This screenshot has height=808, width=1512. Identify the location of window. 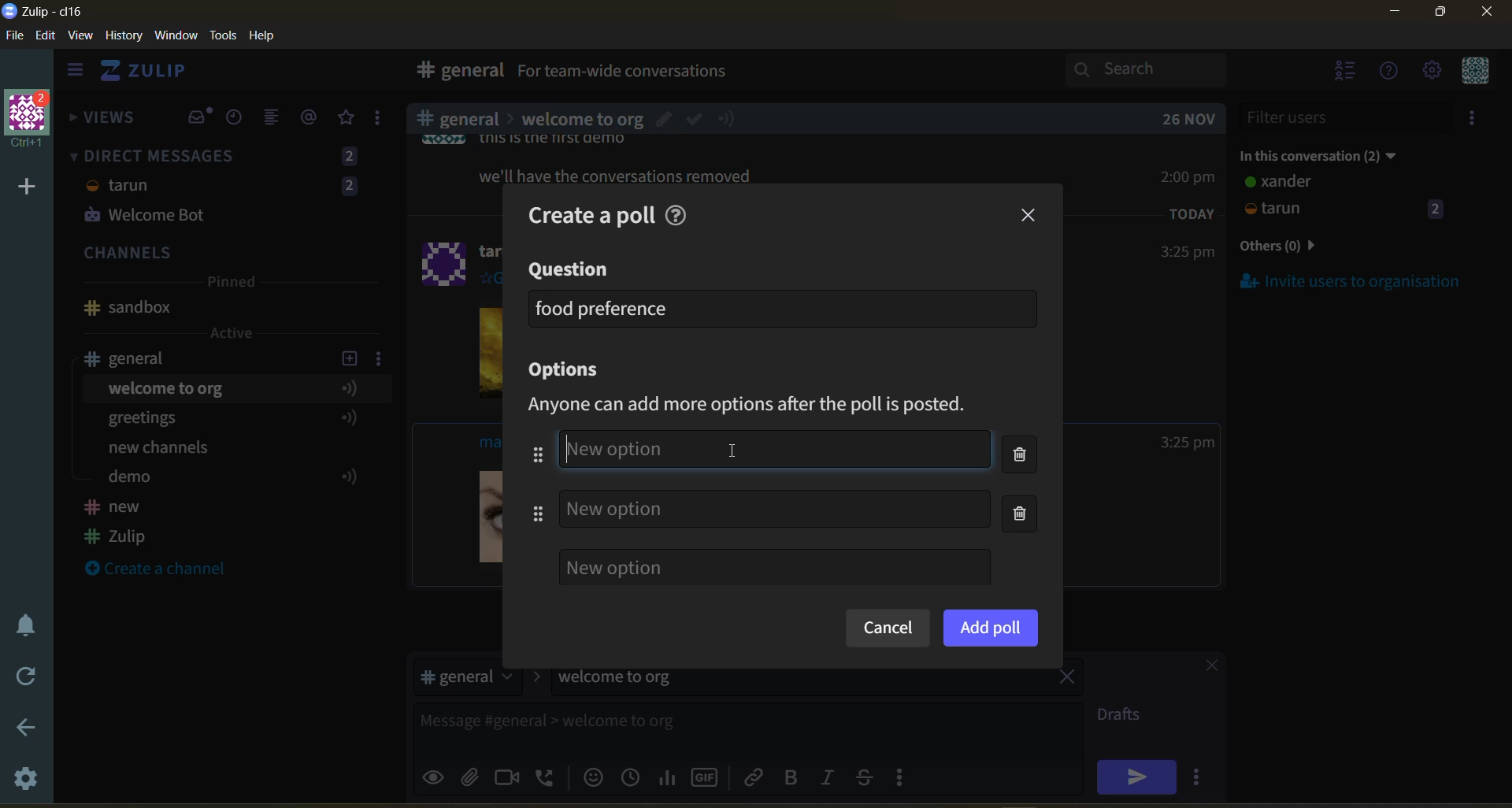
(174, 36).